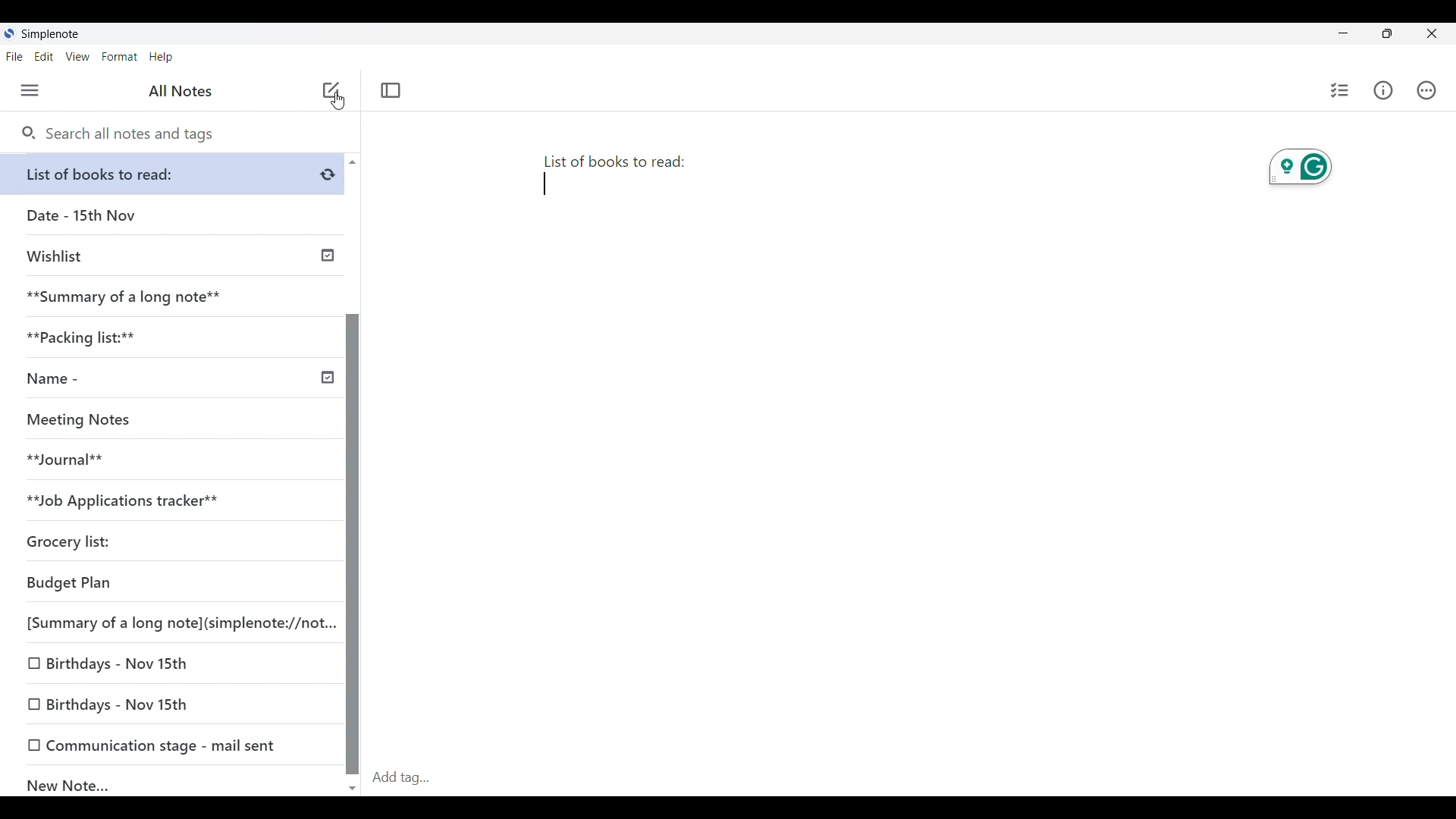  Describe the element at coordinates (171, 664) in the screenshot. I see `Birthdays - Nov 15th` at that location.